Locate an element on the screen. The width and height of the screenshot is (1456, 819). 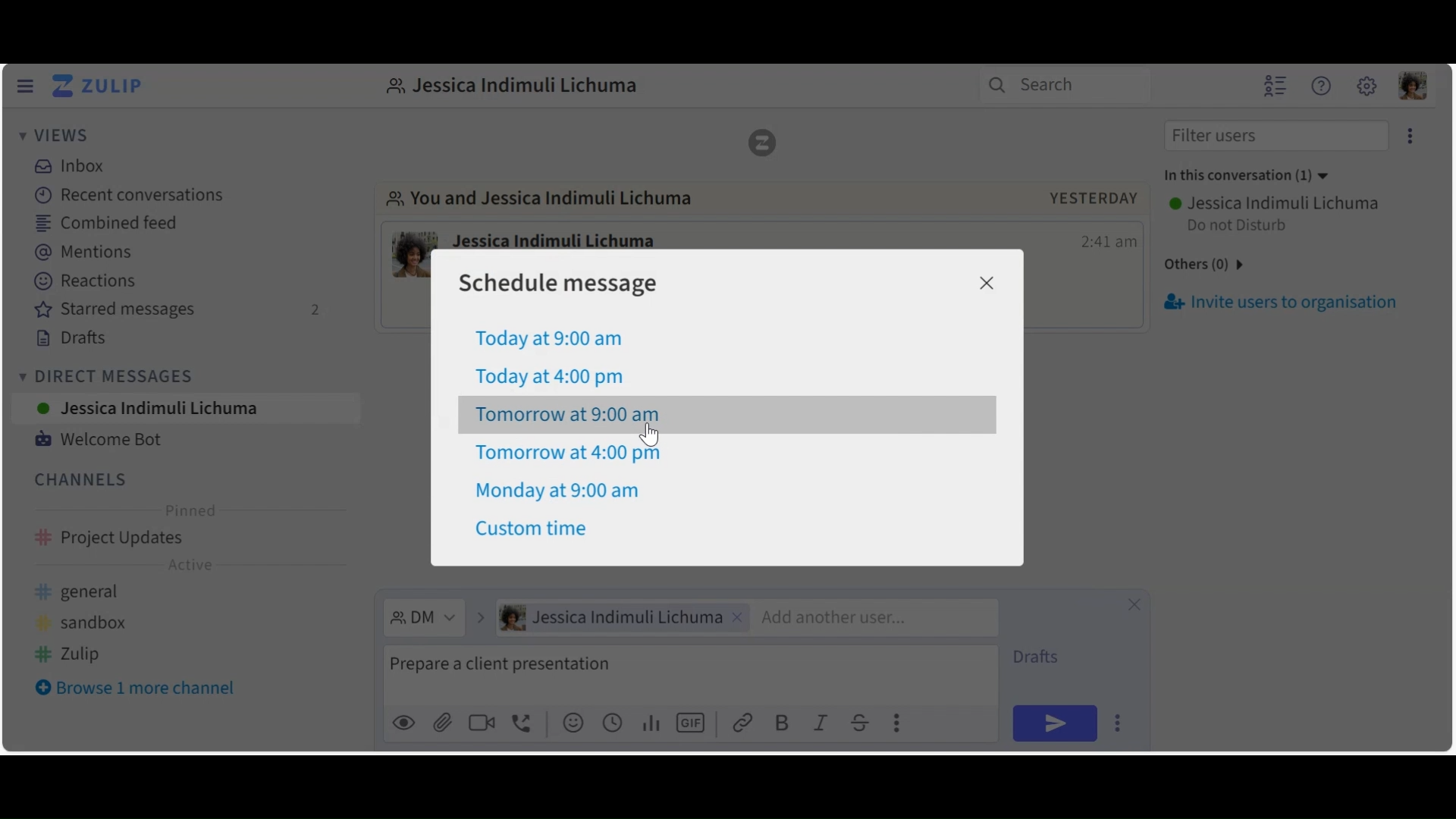
Add emoji is located at coordinates (572, 724).